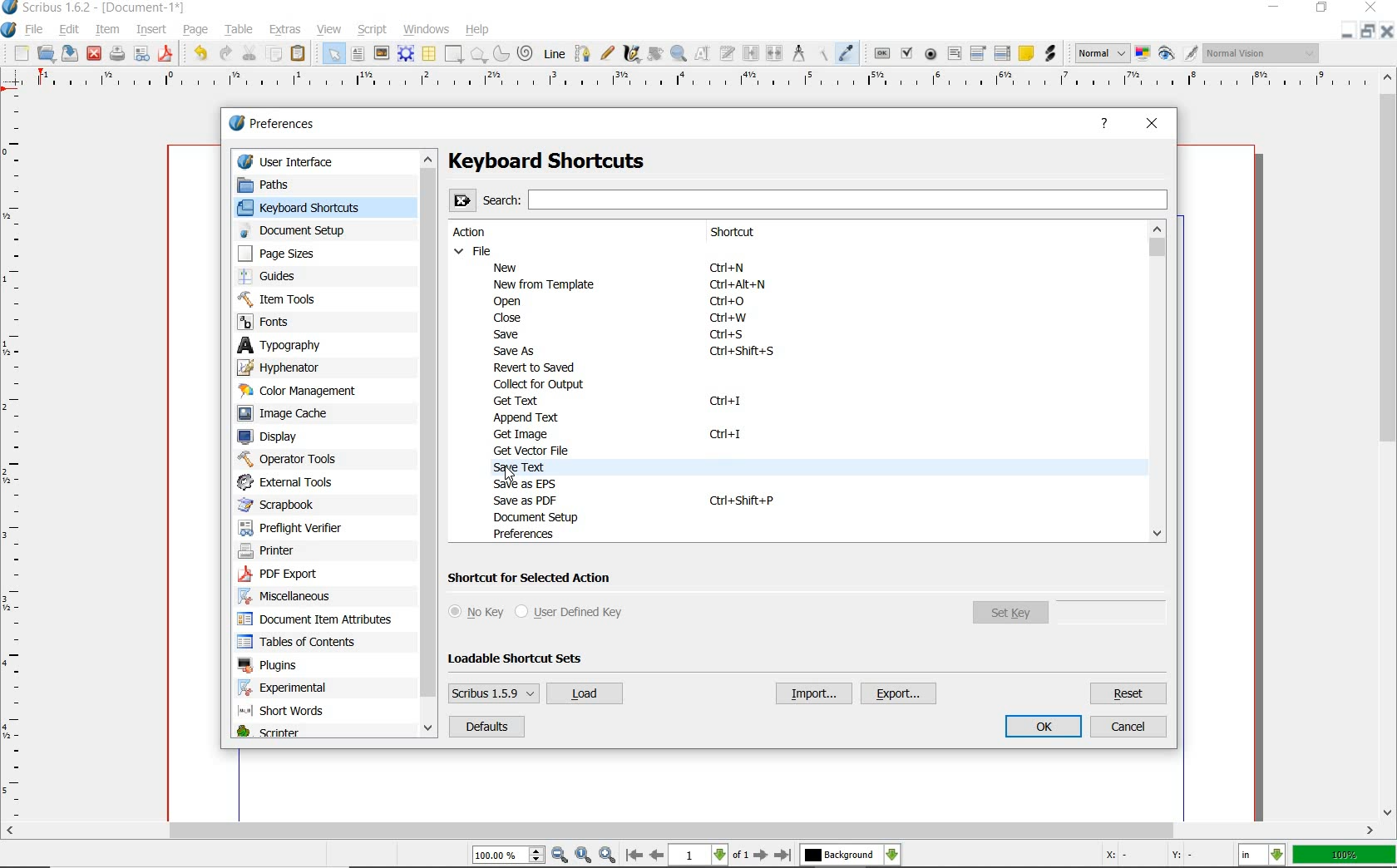  I want to click on fonts, so click(282, 323).